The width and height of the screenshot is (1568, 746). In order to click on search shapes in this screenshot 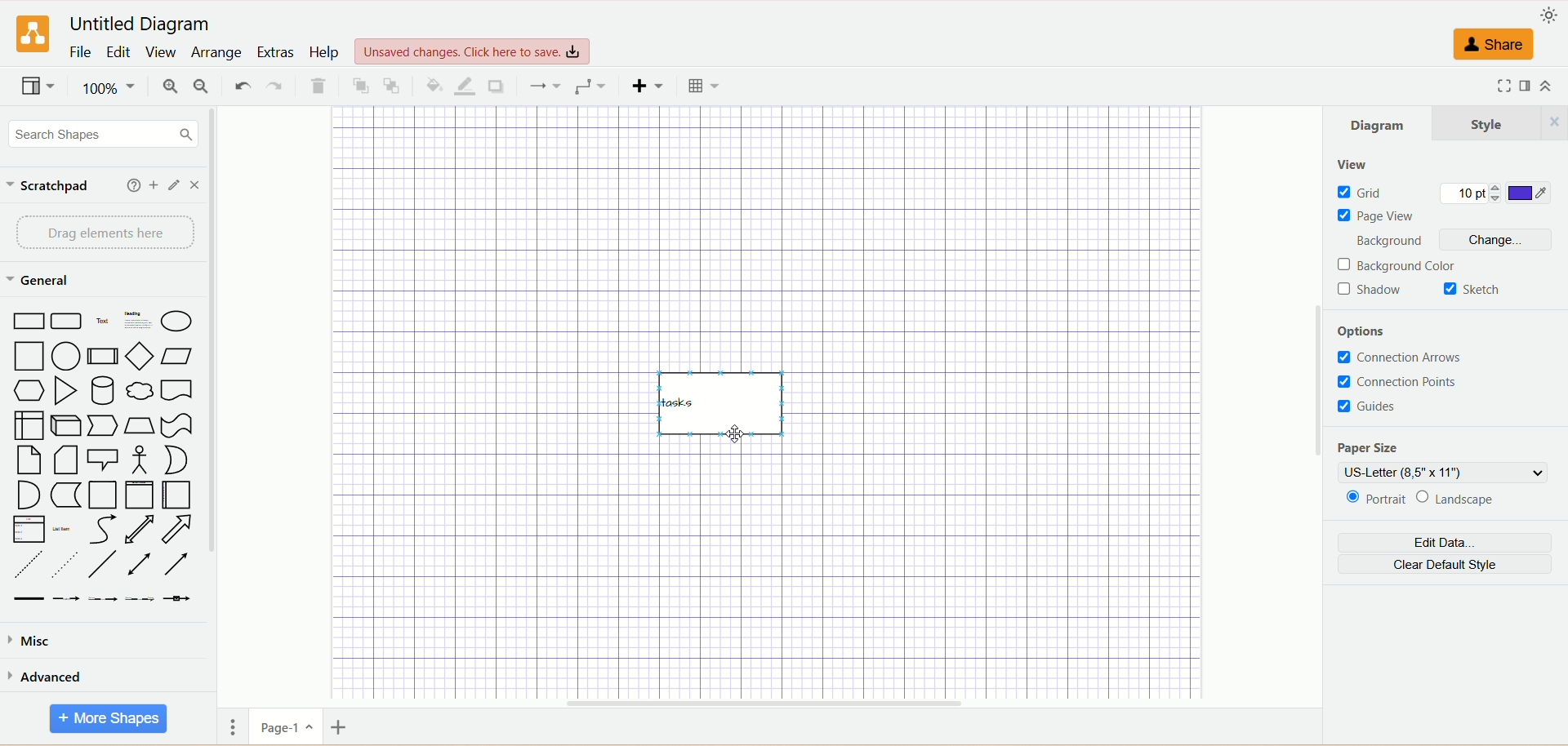, I will do `click(105, 134)`.